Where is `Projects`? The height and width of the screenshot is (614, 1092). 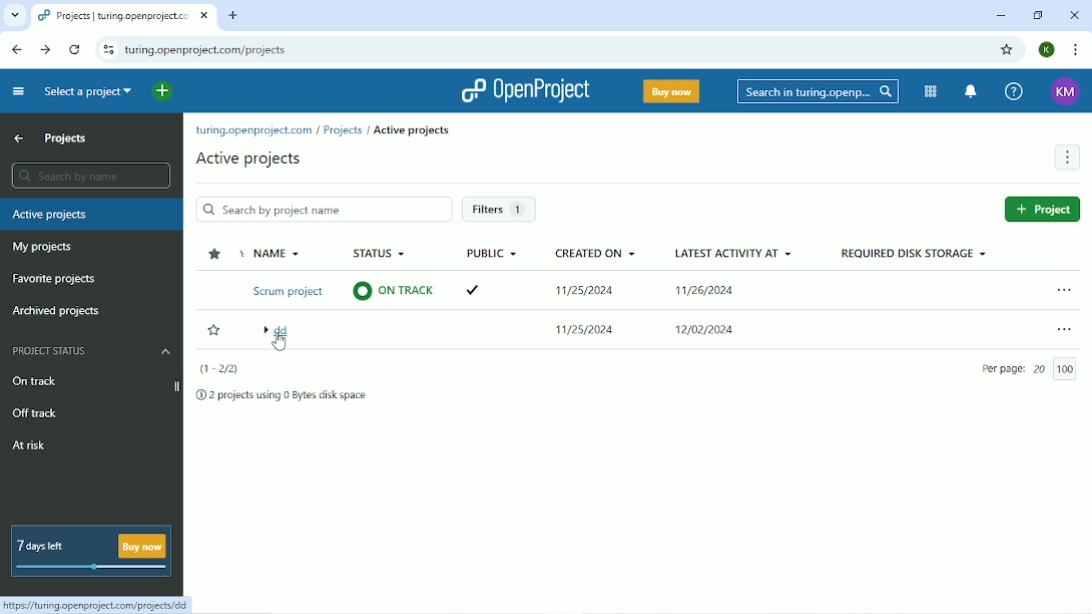 Projects is located at coordinates (342, 130).